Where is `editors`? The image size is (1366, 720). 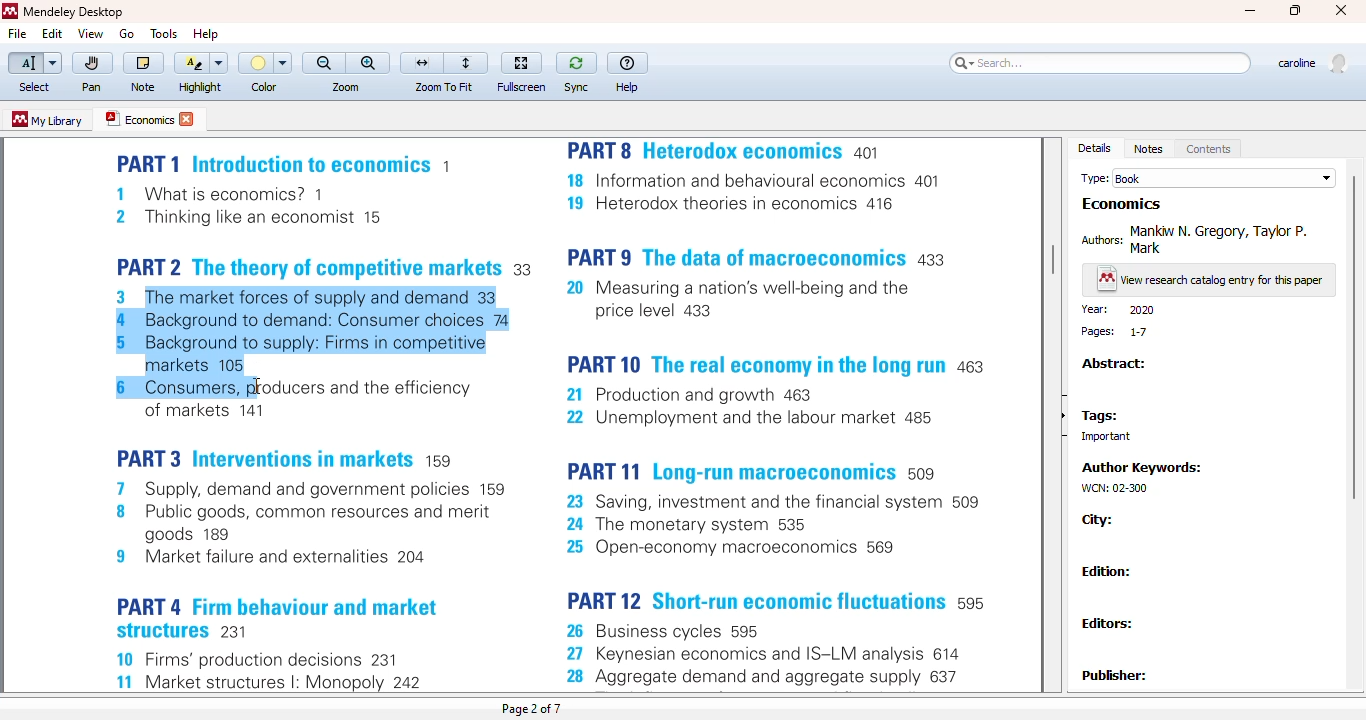
editors is located at coordinates (1110, 622).